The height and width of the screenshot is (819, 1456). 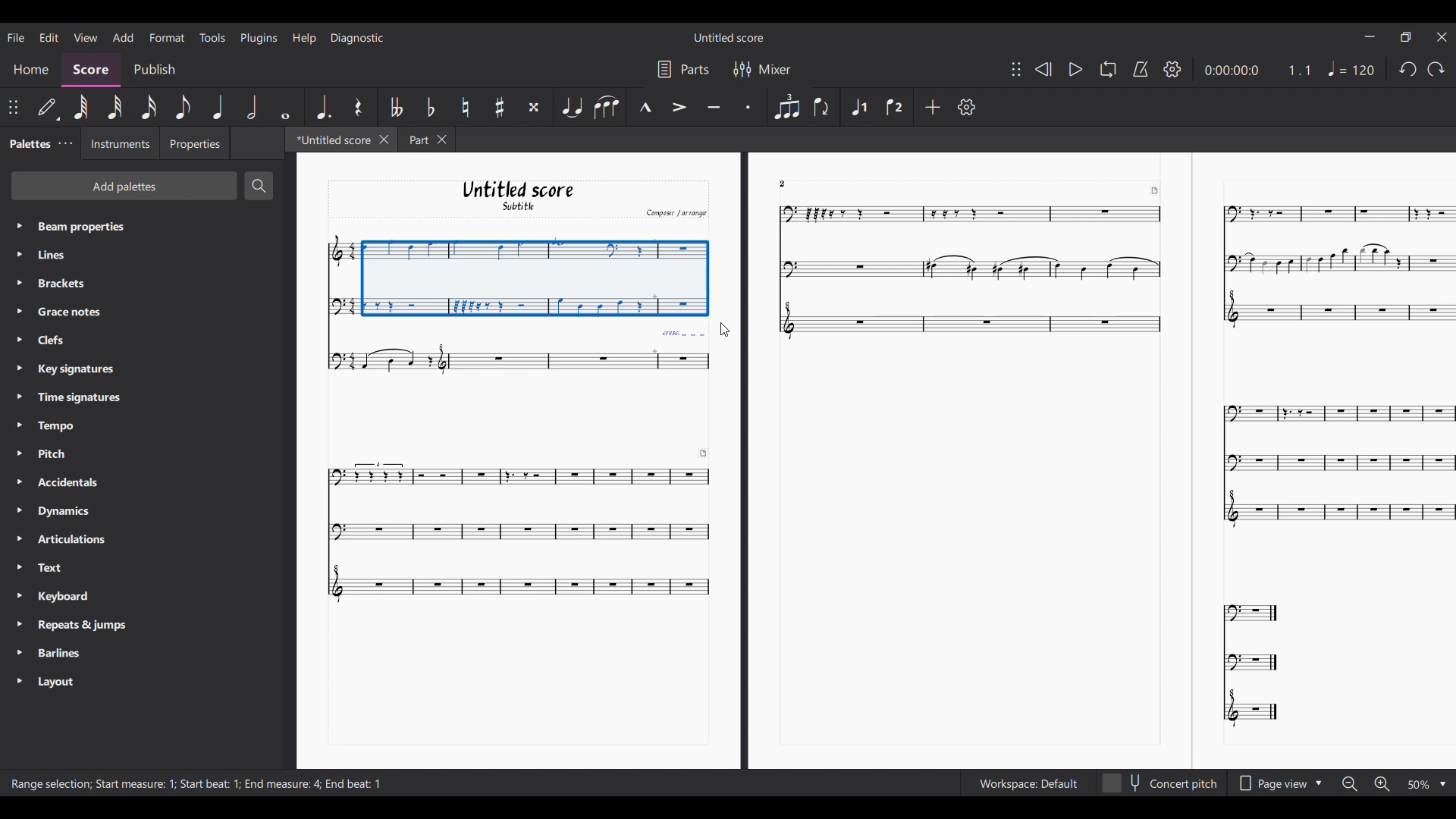 What do you see at coordinates (86, 37) in the screenshot?
I see `View ` at bounding box center [86, 37].